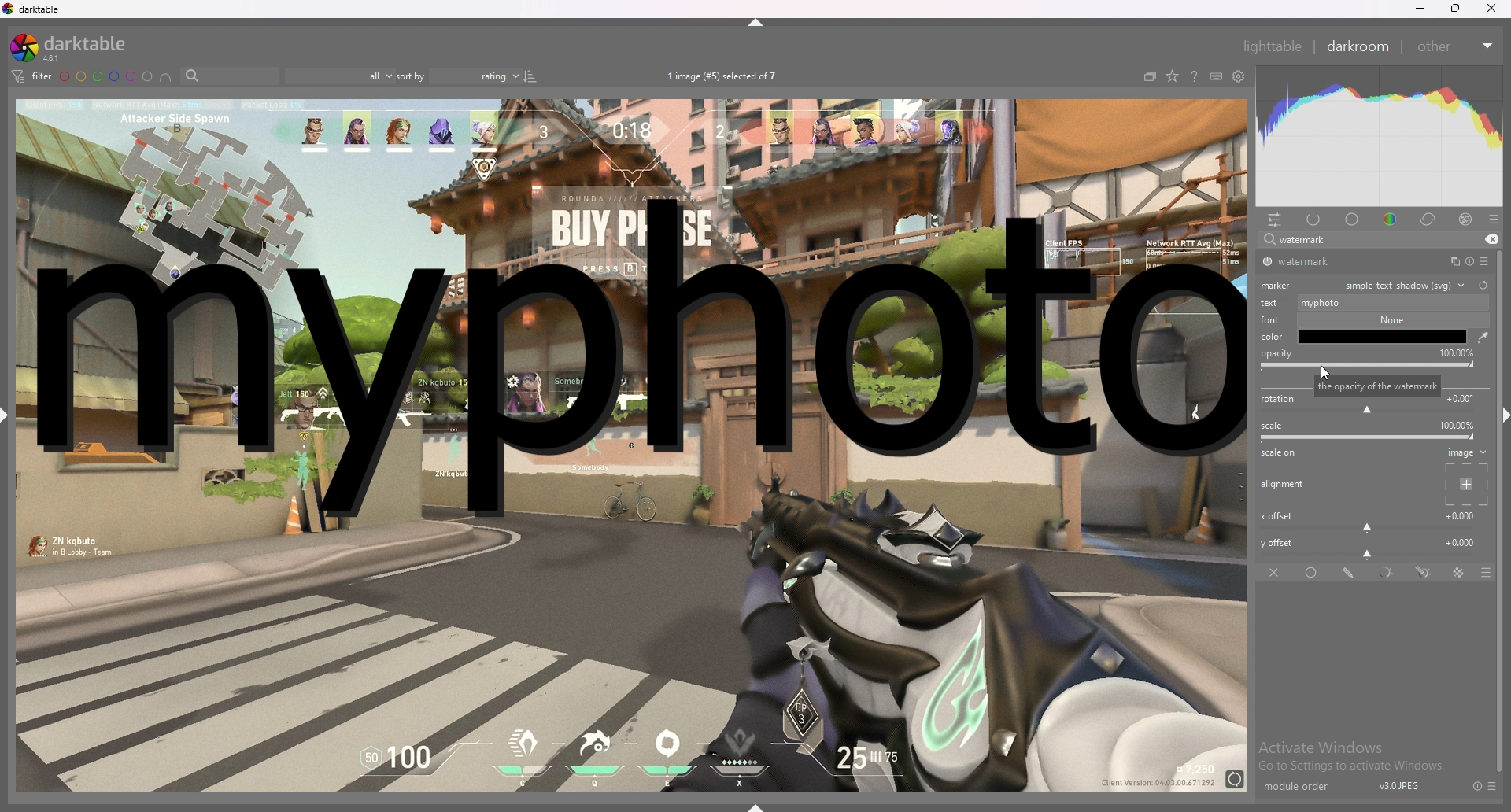 The width and height of the screenshot is (1511, 812). Describe the element at coordinates (1359, 45) in the screenshot. I see `darkroom` at that location.